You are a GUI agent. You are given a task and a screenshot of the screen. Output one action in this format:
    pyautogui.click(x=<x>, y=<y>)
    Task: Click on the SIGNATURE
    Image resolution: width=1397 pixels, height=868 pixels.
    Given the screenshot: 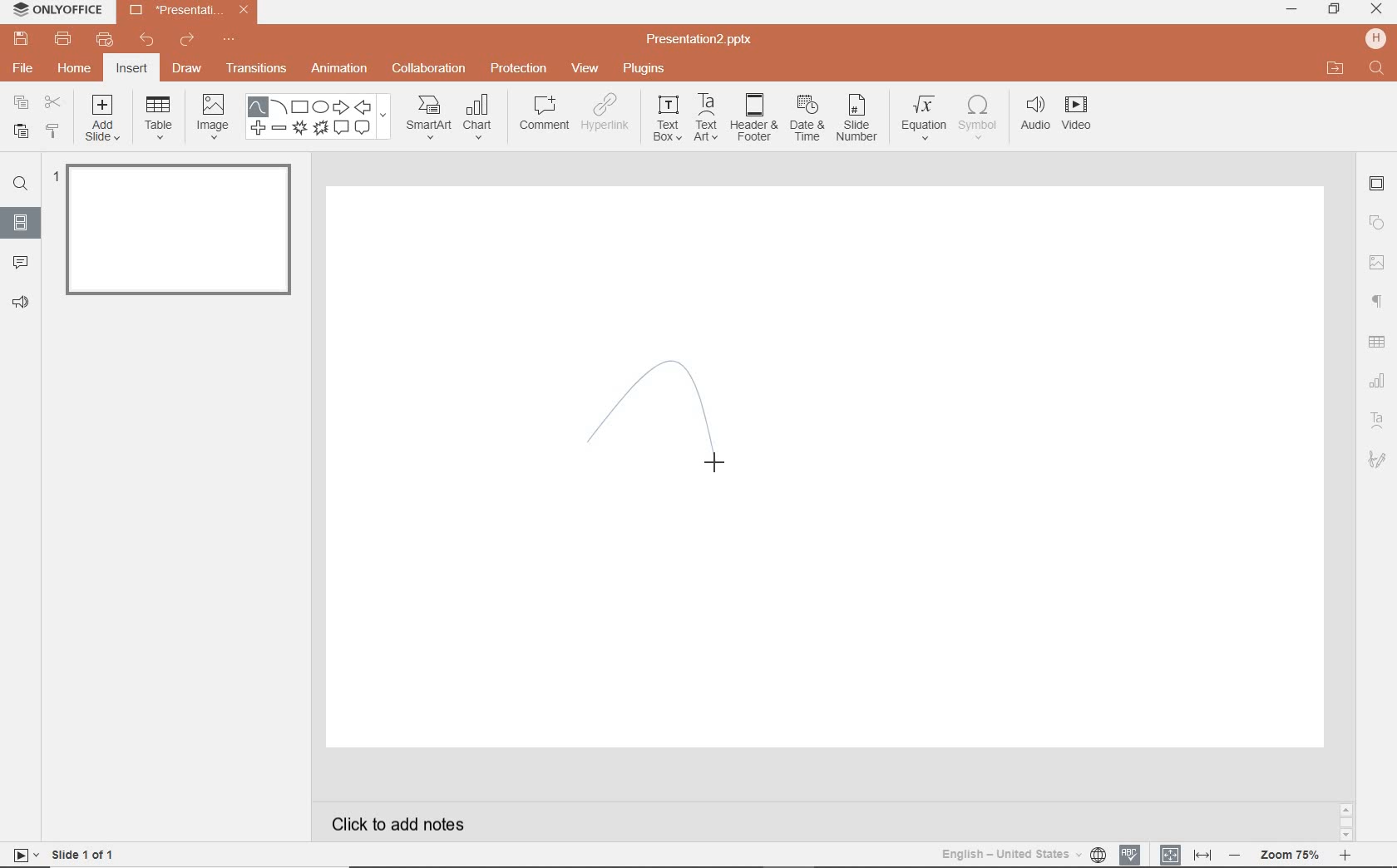 What is the action you would take?
    pyautogui.click(x=1378, y=461)
    